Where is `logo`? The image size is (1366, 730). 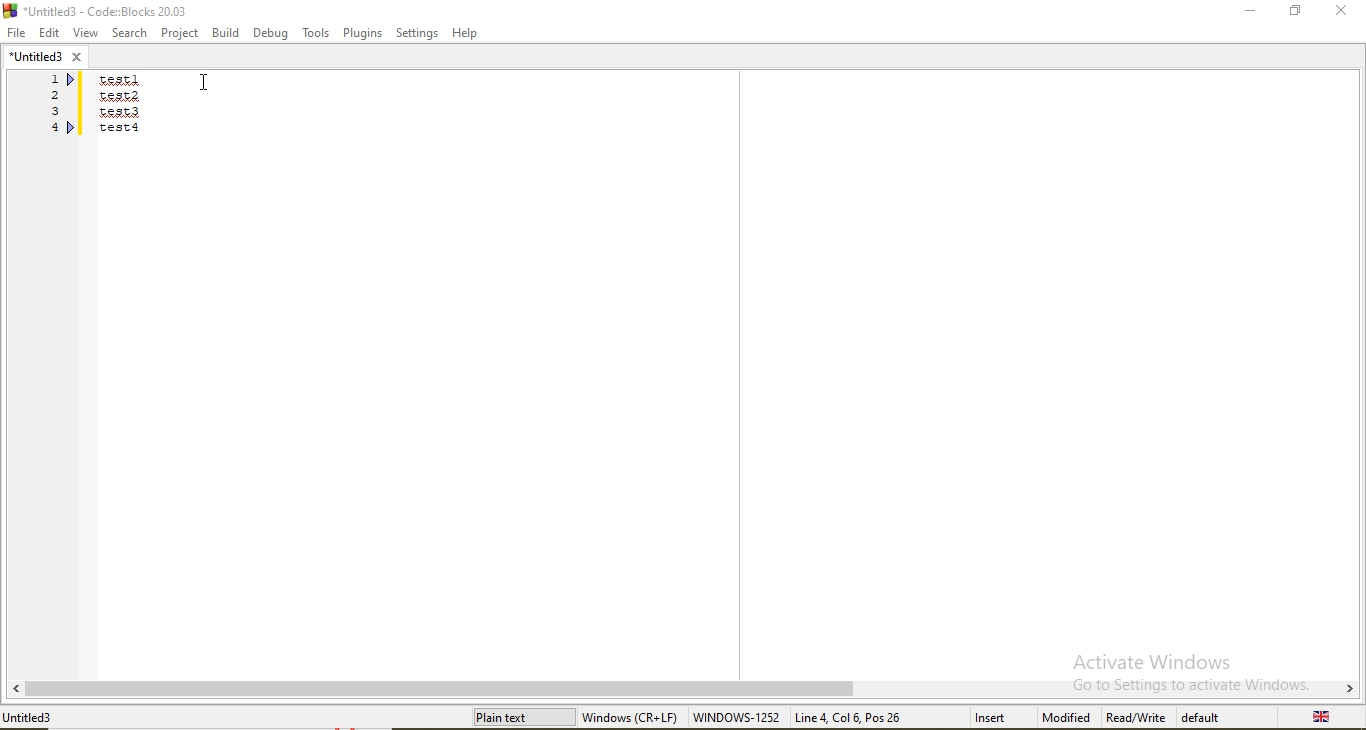 logo is located at coordinates (102, 9).